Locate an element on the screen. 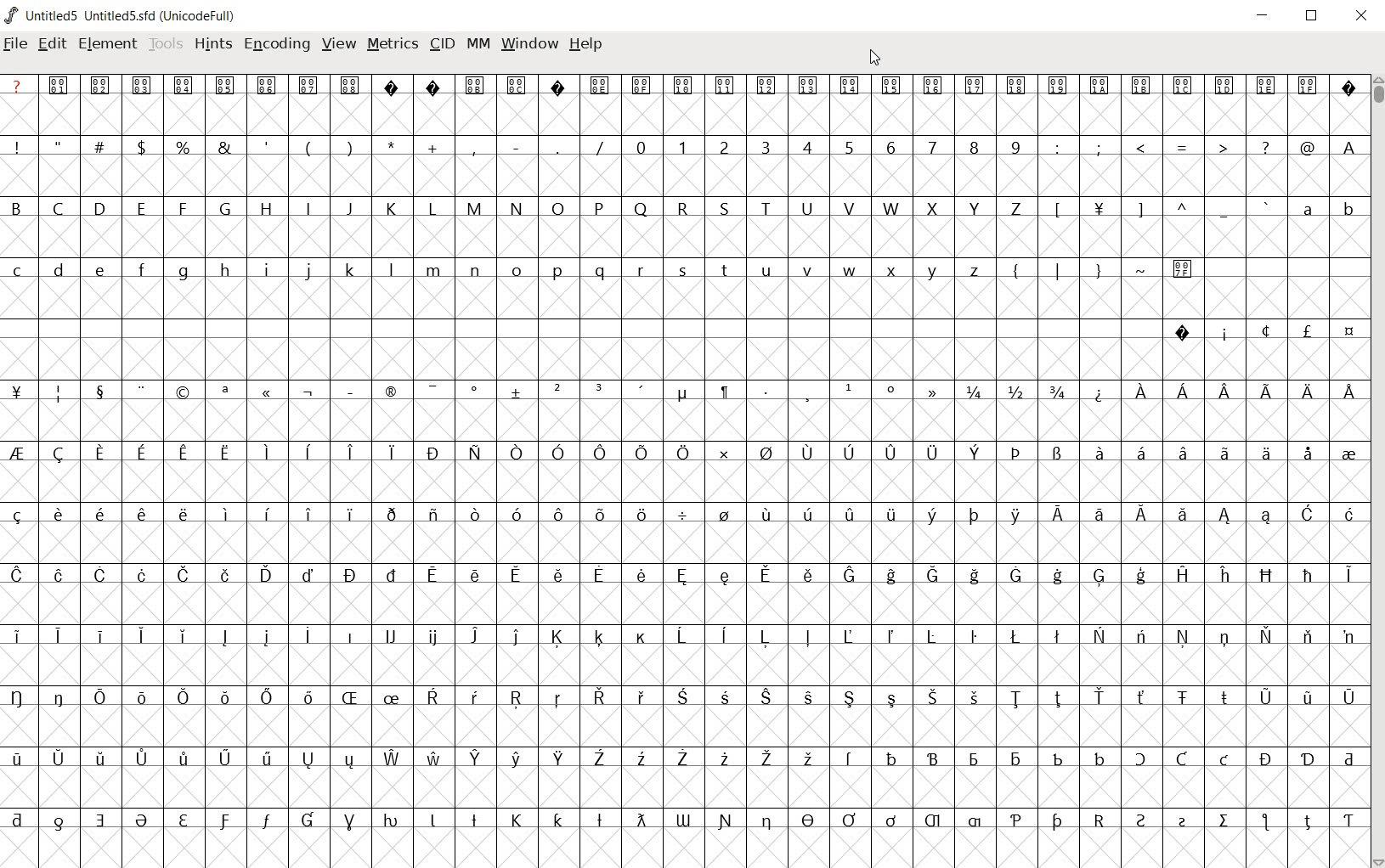  Symbol is located at coordinates (1308, 392).